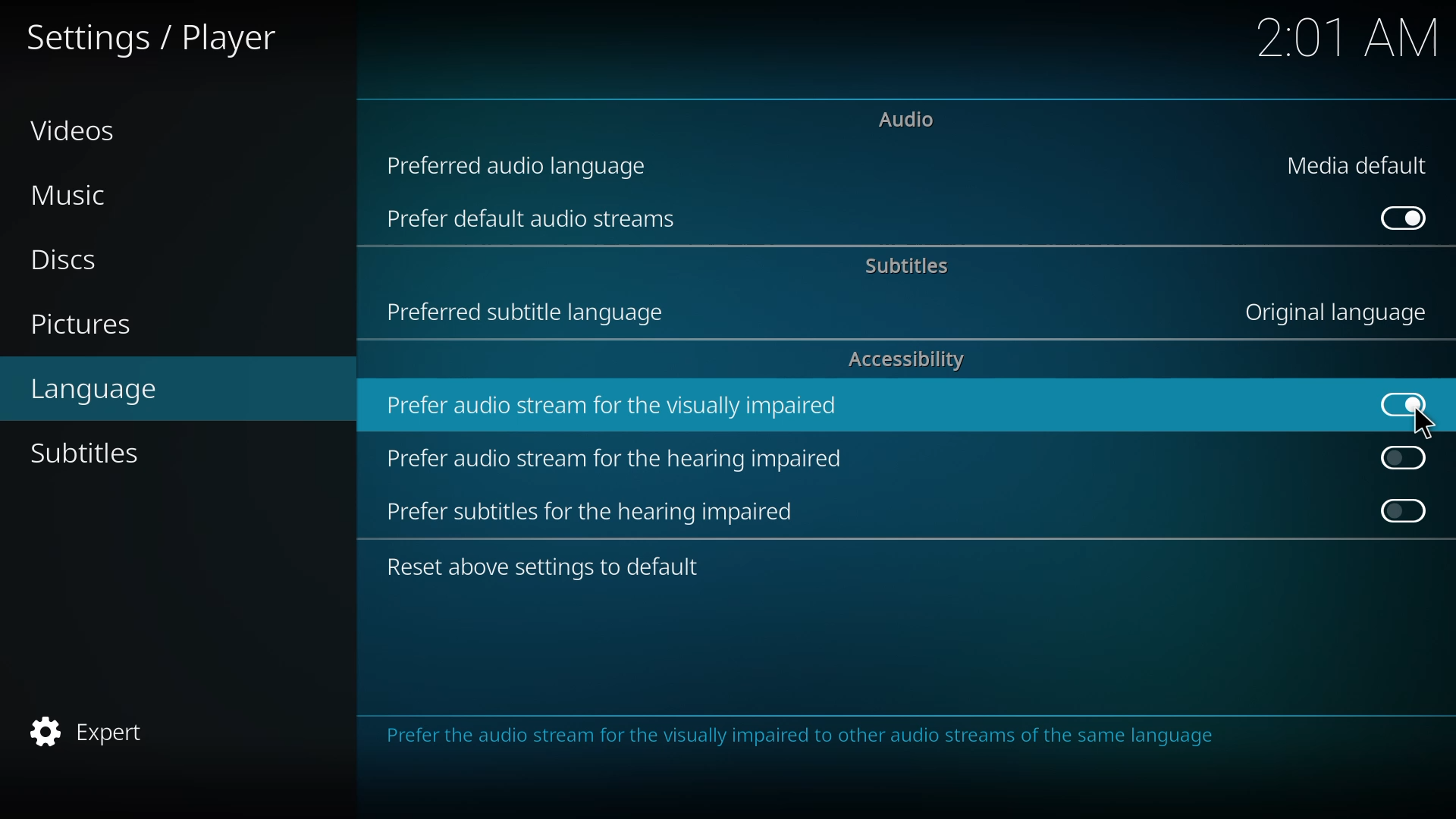  What do you see at coordinates (73, 197) in the screenshot?
I see `music` at bounding box center [73, 197].